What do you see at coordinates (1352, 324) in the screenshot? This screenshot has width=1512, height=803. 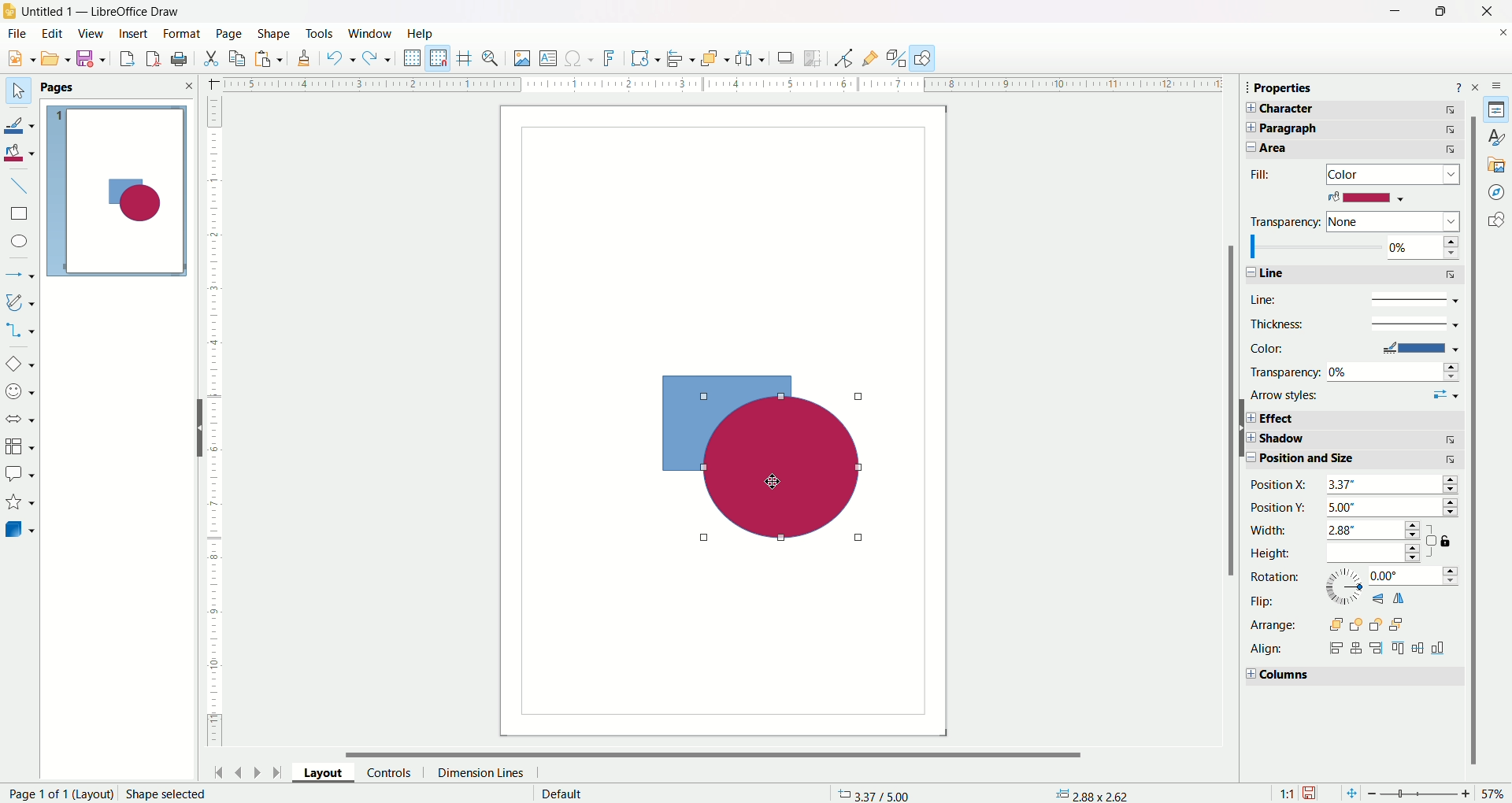 I see `thickness` at bounding box center [1352, 324].